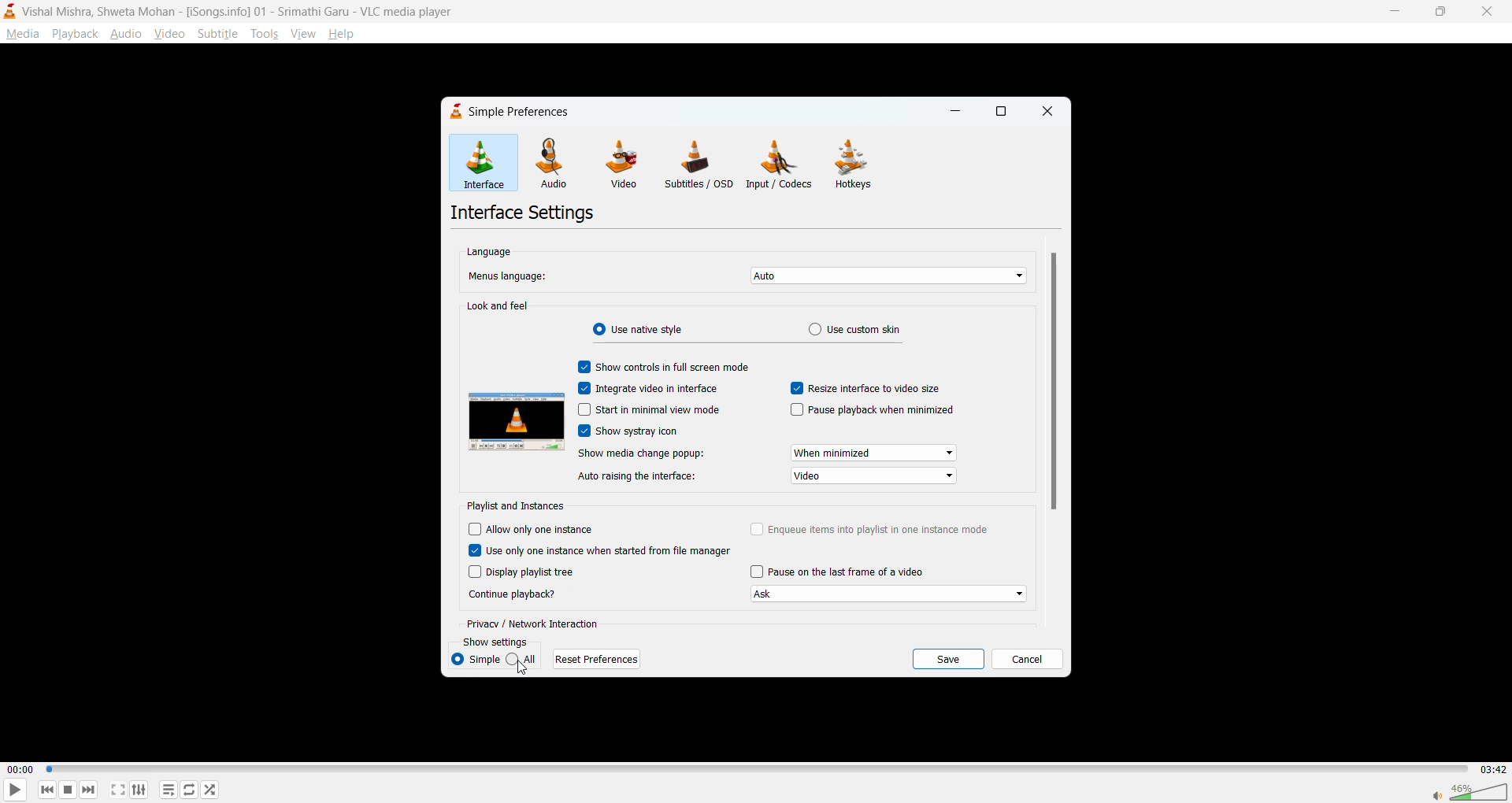 This screenshot has height=803, width=1512. Describe the element at coordinates (65, 790) in the screenshot. I see `stop` at that location.